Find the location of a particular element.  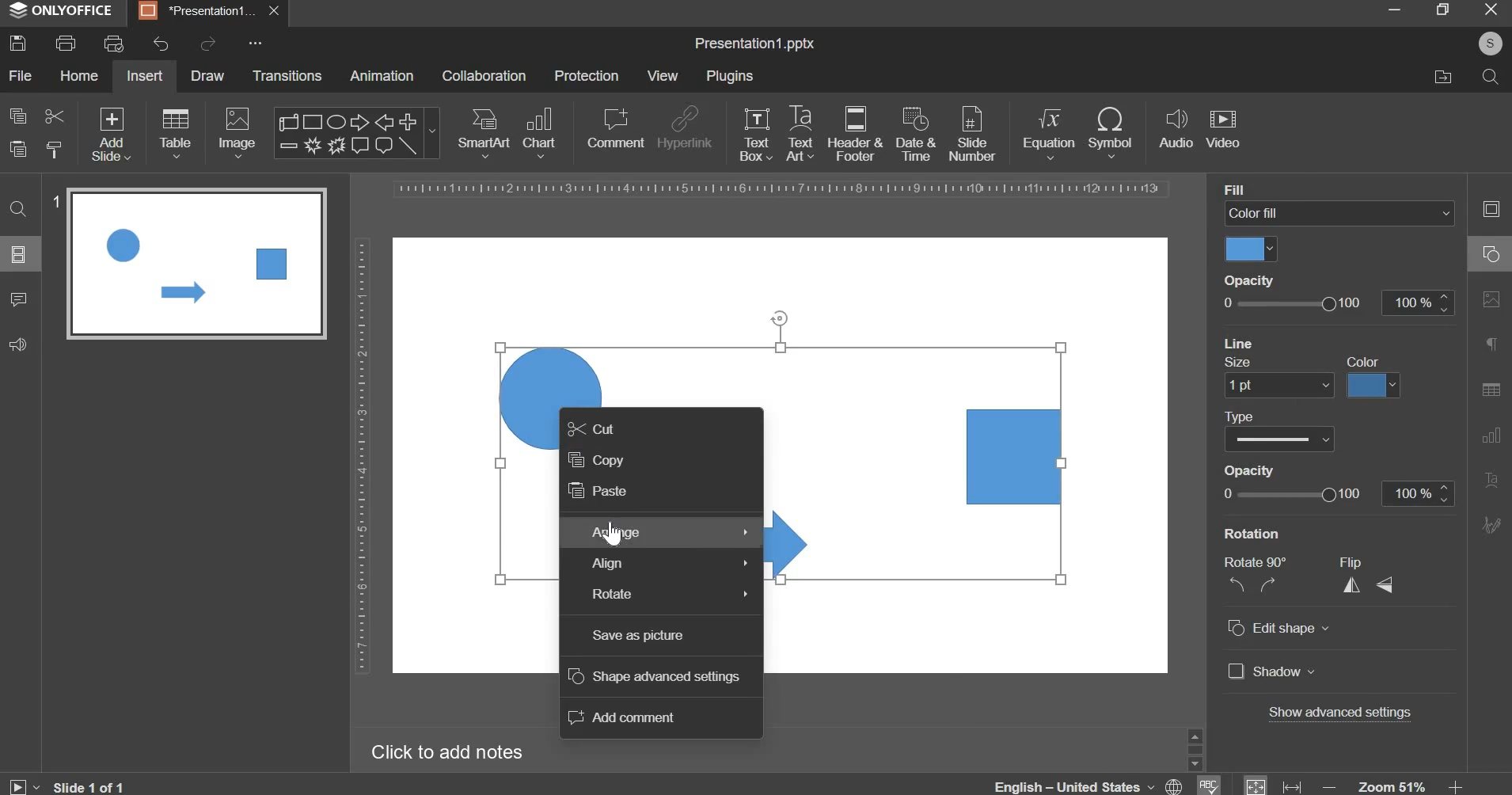

shadow is located at coordinates (1272, 673).